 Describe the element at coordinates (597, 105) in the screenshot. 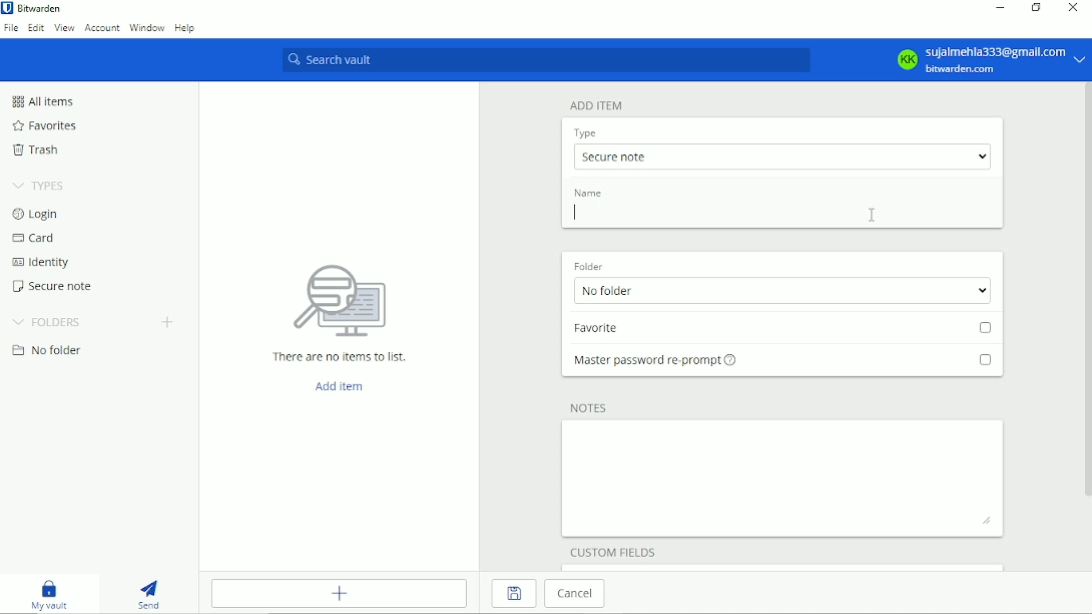

I see `Add item` at that location.